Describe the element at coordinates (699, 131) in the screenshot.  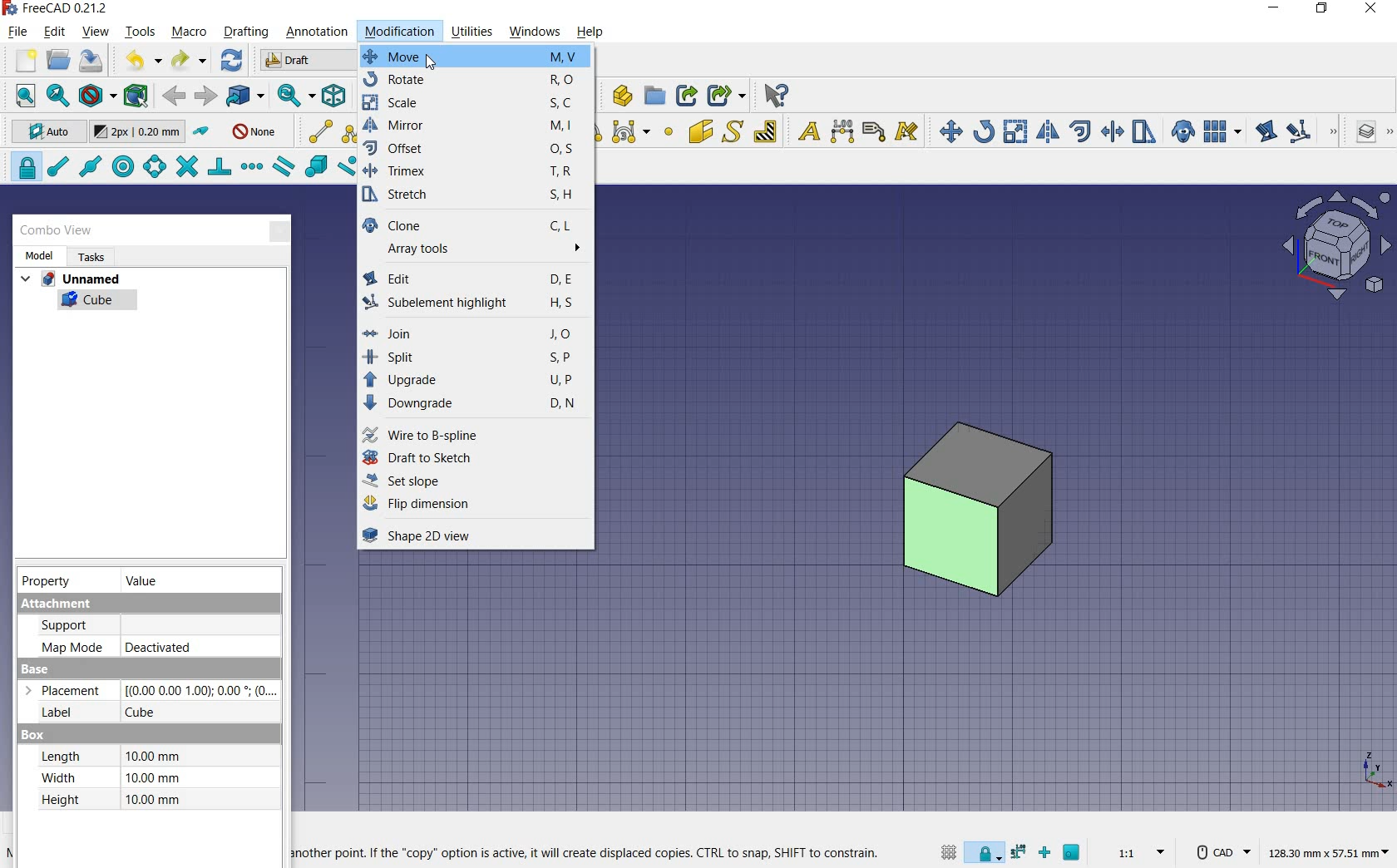
I see `facebinder` at that location.